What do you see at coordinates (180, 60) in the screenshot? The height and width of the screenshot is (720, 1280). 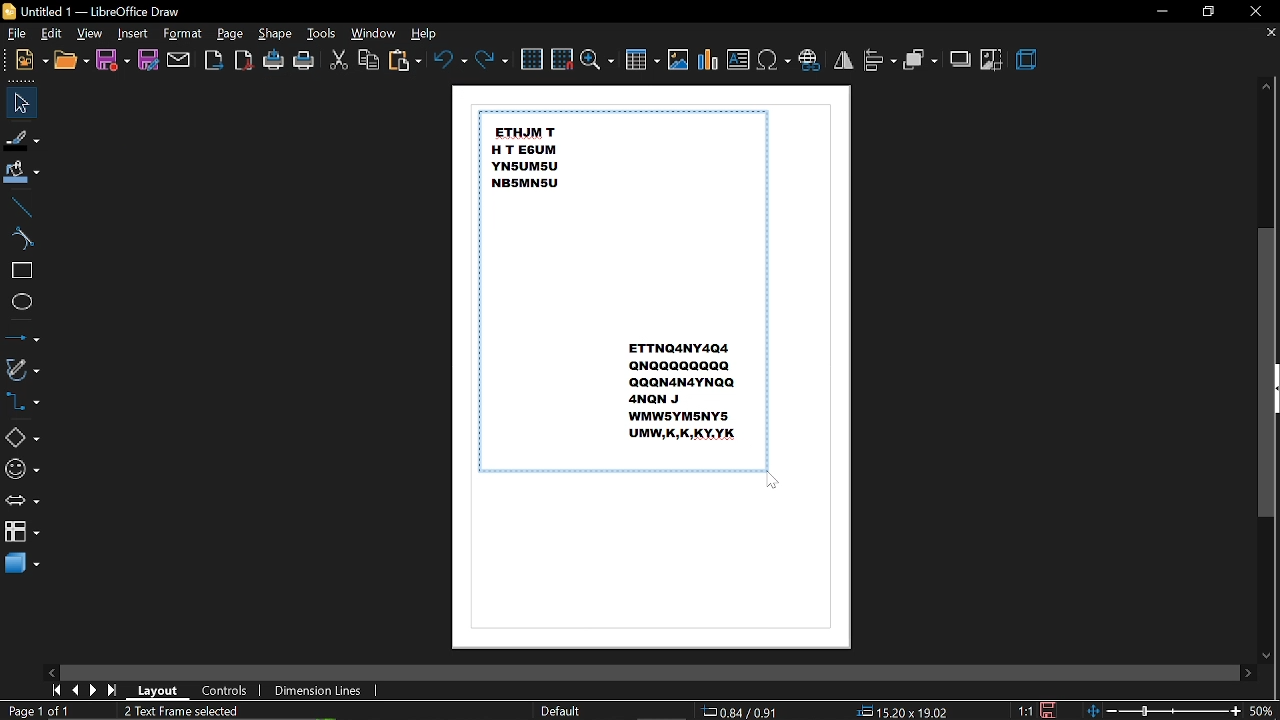 I see `attach` at bounding box center [180, 60].